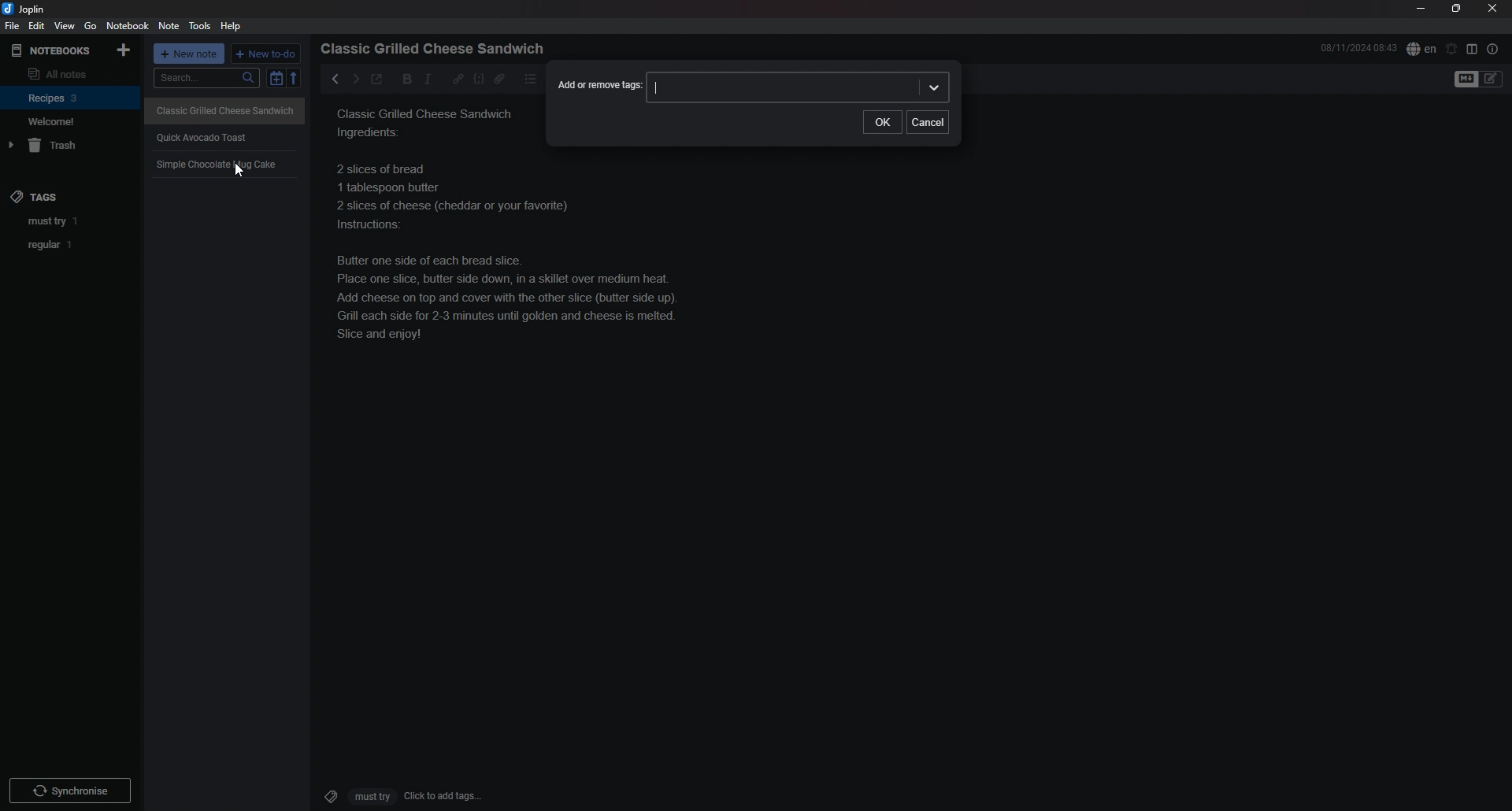  I want to click on reverse sort order, so click(297, 79).